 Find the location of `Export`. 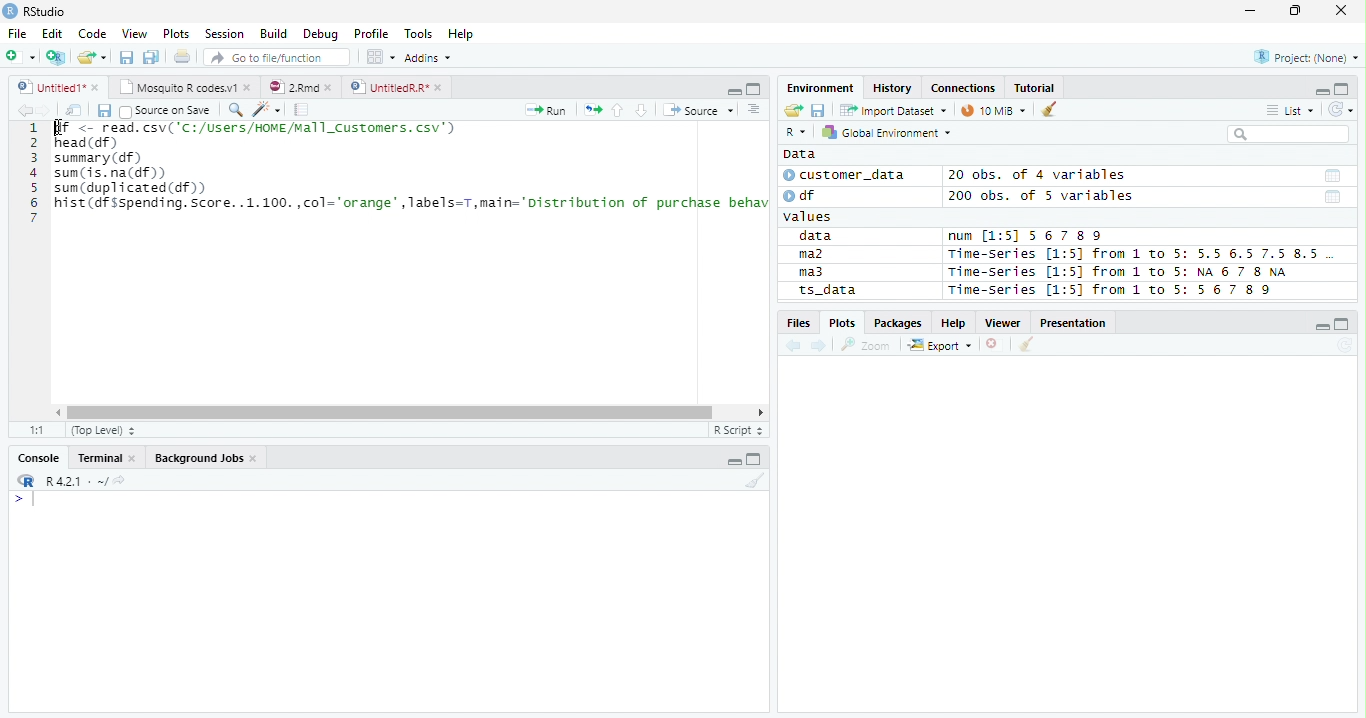

Export is located at coordinates (940, 346).